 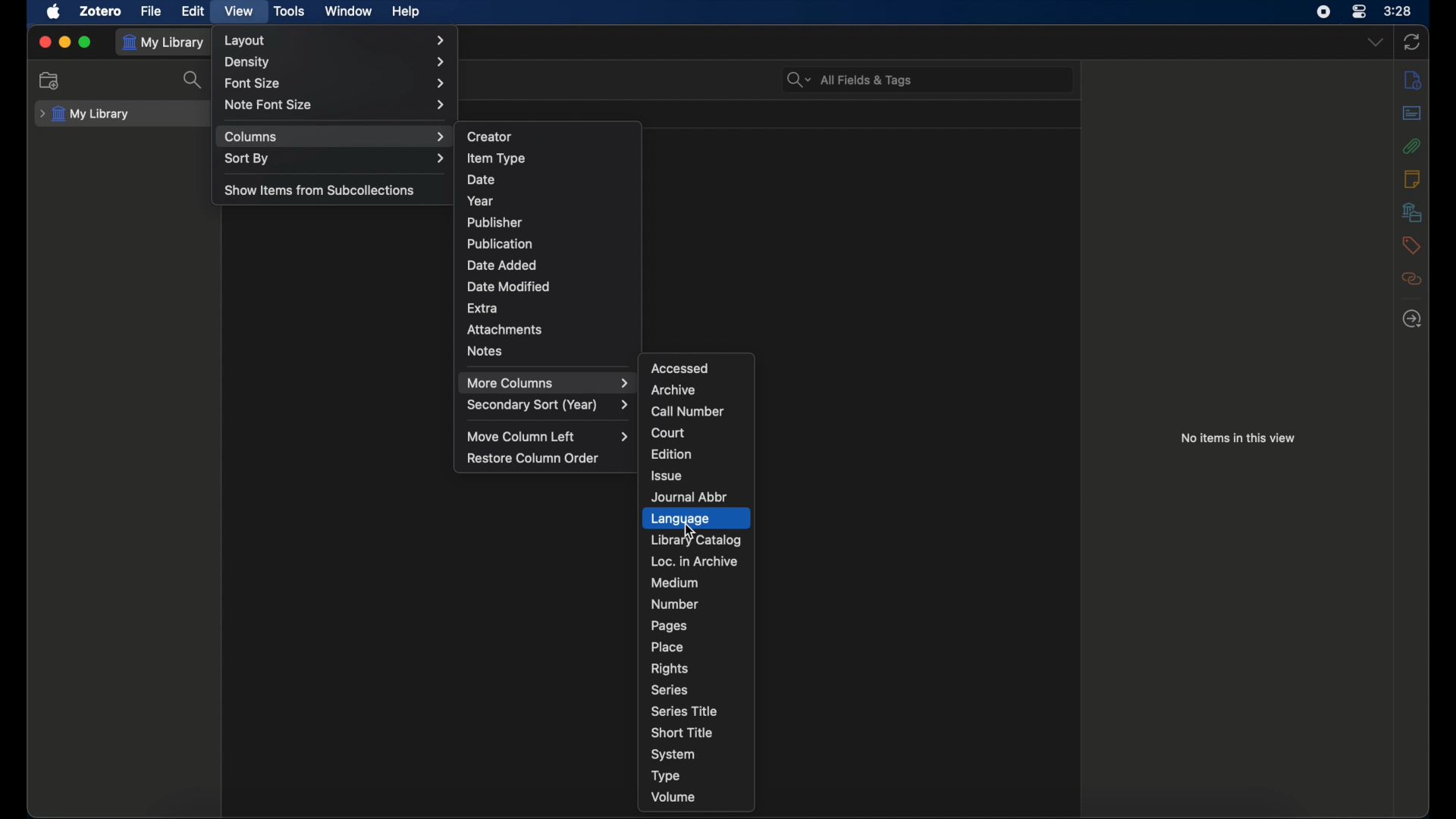 I want to click on sort by, so click(x=335, y=159).